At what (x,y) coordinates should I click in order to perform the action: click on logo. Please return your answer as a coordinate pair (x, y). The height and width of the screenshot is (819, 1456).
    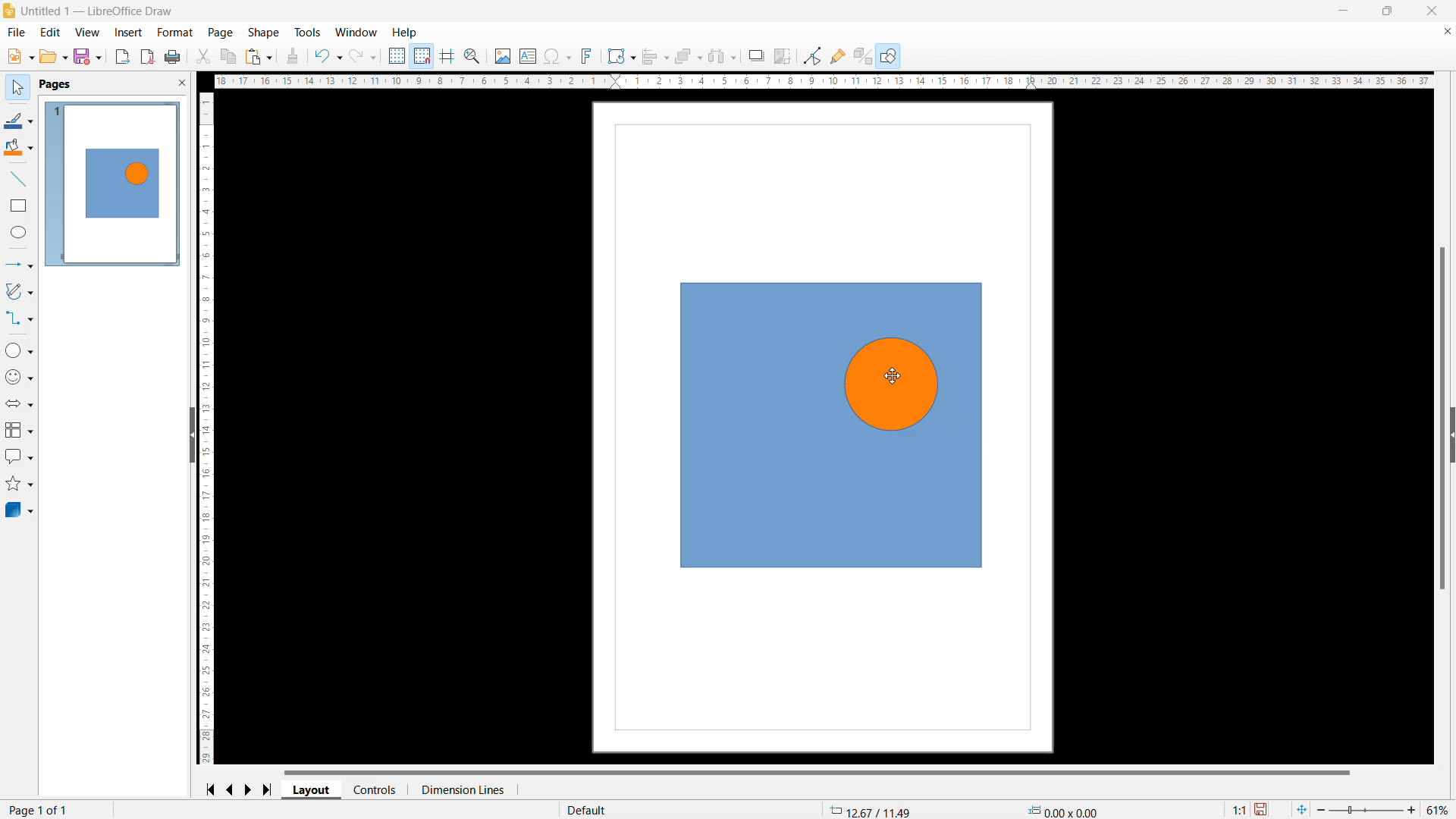
    Looking at the image, I should click on (11, 11).